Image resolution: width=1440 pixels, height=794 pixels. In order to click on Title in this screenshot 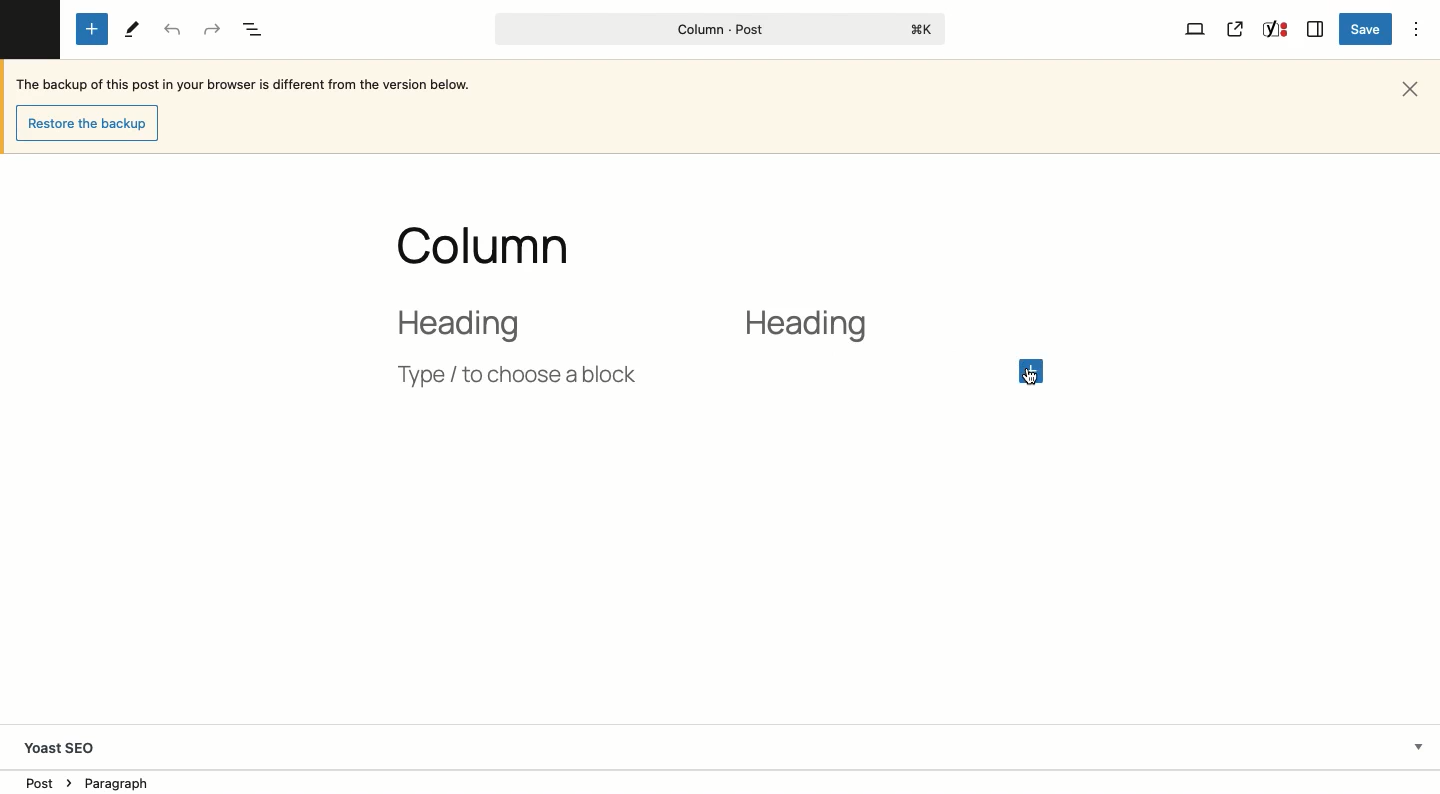, I will do `click(499, 241)`.